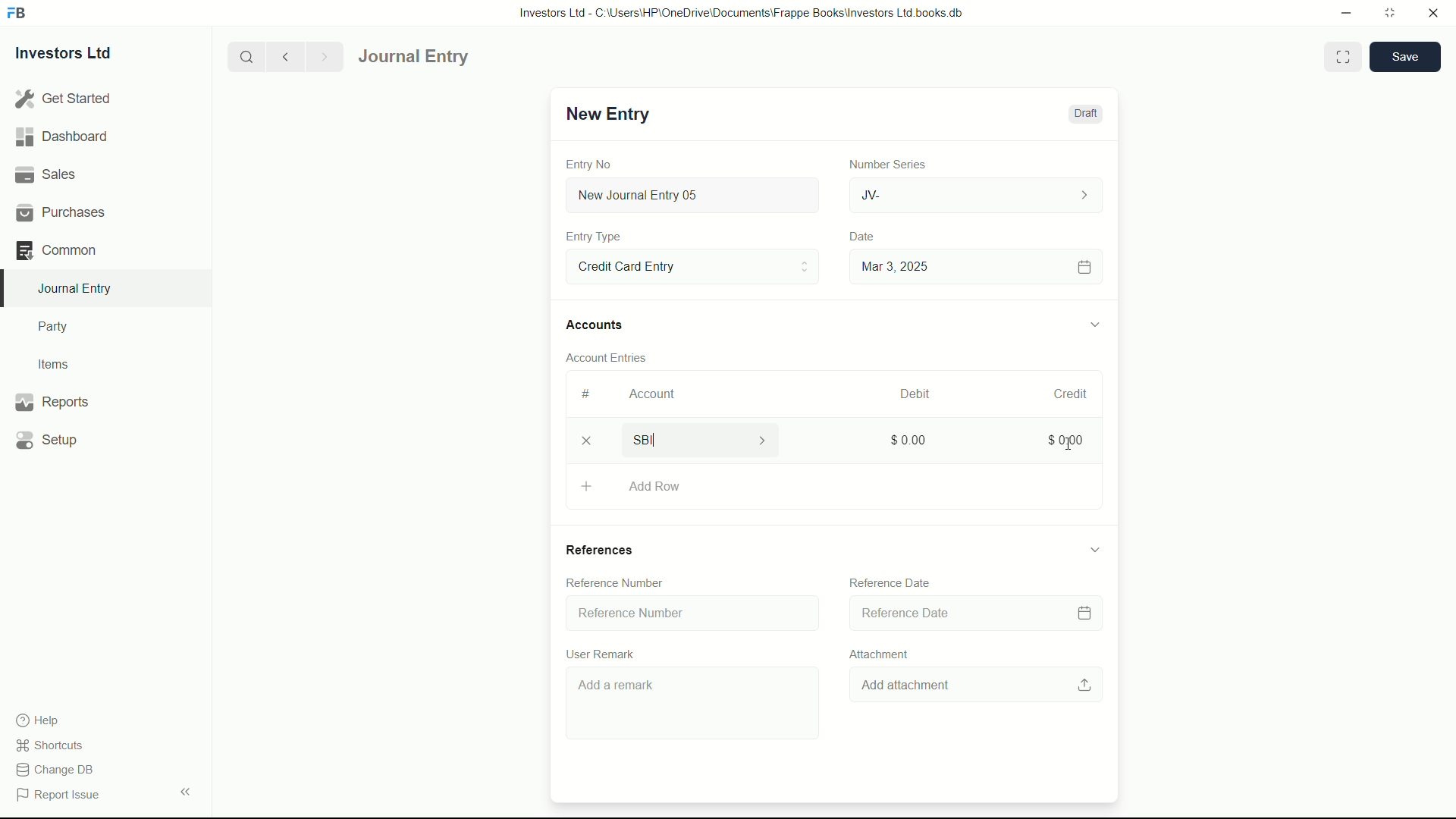  What do you see at coordinates (1406, 57) in the screenshot?
I see `save` at bounding box center [1406, 57].